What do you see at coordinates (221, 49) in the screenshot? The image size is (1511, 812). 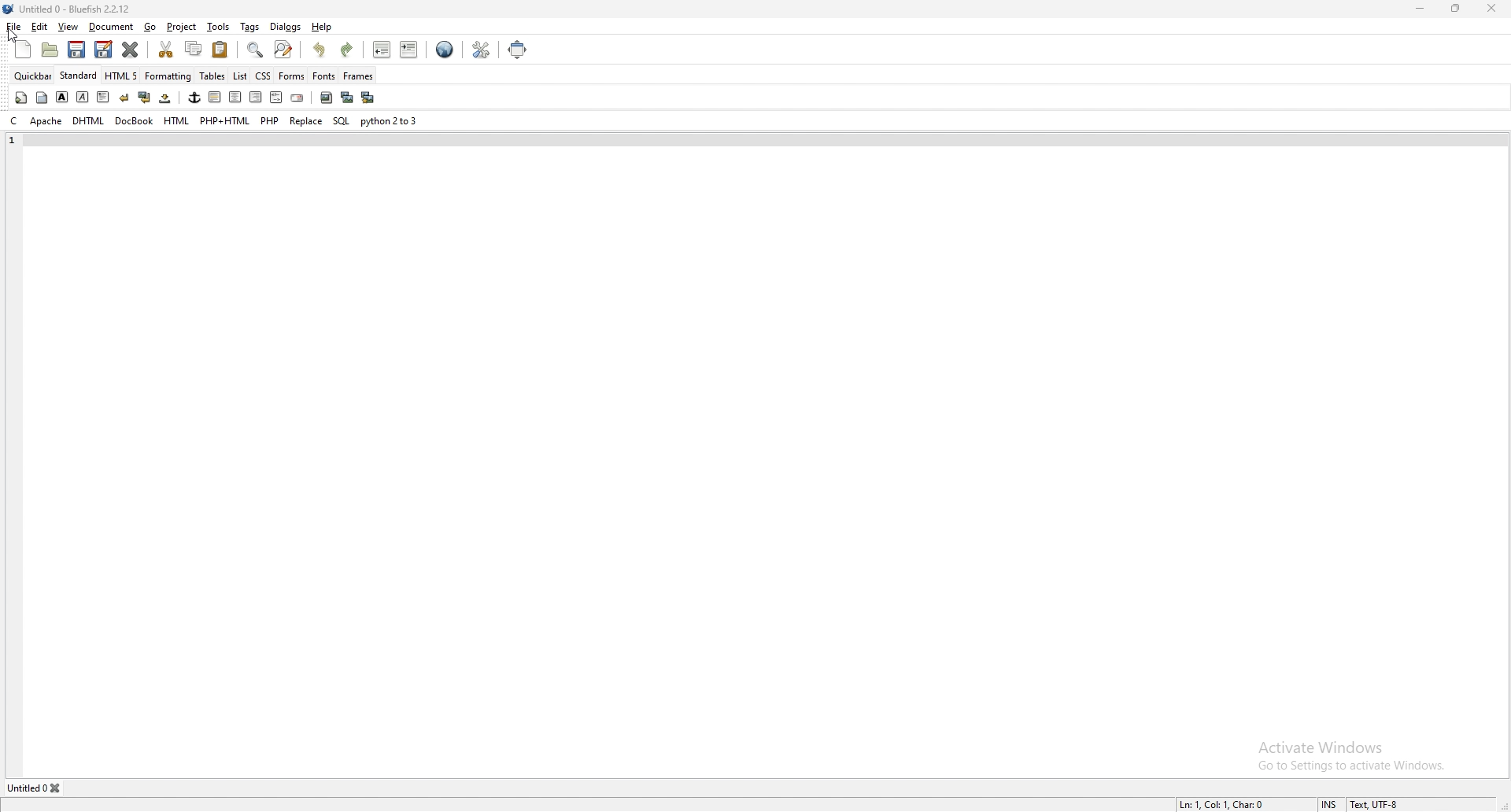 I see `paste` at bounding box center [221, 49].